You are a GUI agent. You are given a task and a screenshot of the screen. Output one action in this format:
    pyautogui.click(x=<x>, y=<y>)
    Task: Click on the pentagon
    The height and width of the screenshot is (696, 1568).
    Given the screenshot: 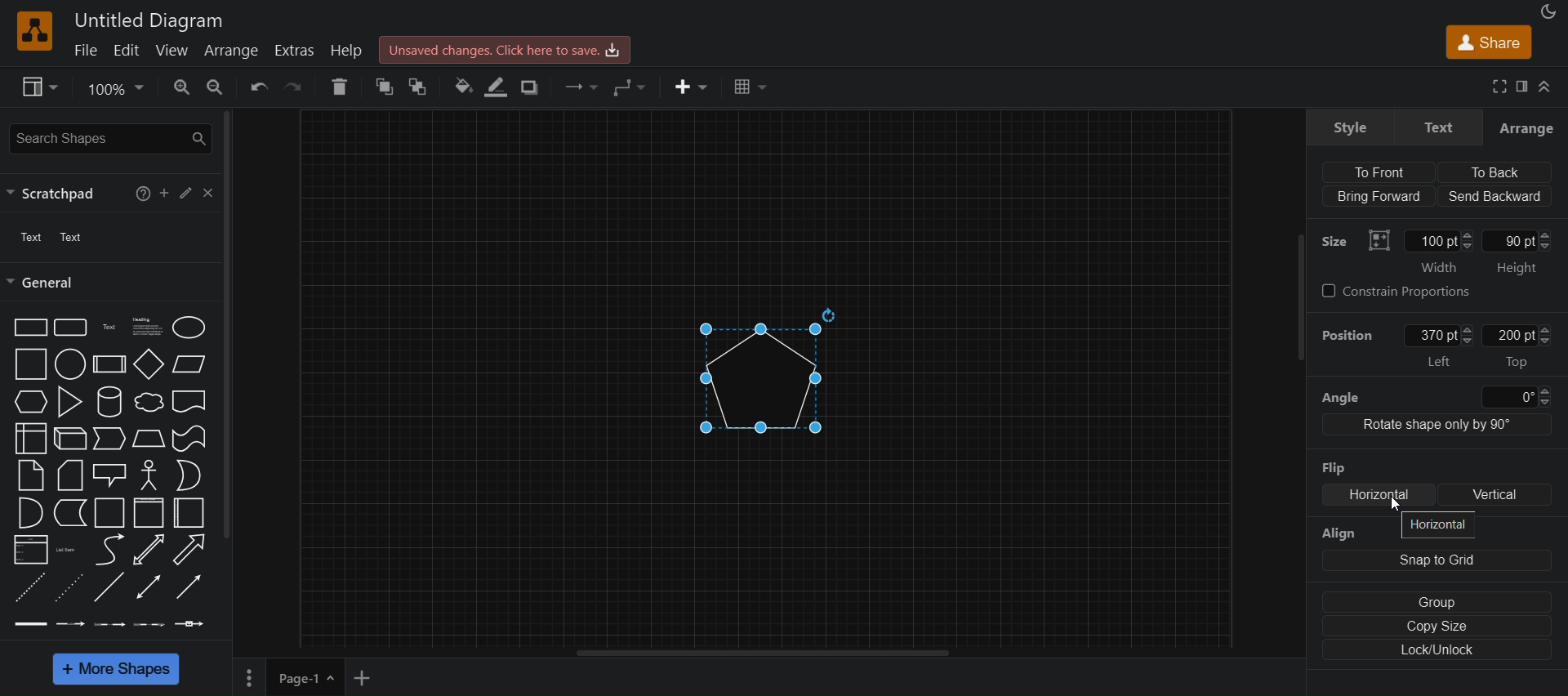 What is the action you would take?
    pyautogui.click(x=759, y=379)
    